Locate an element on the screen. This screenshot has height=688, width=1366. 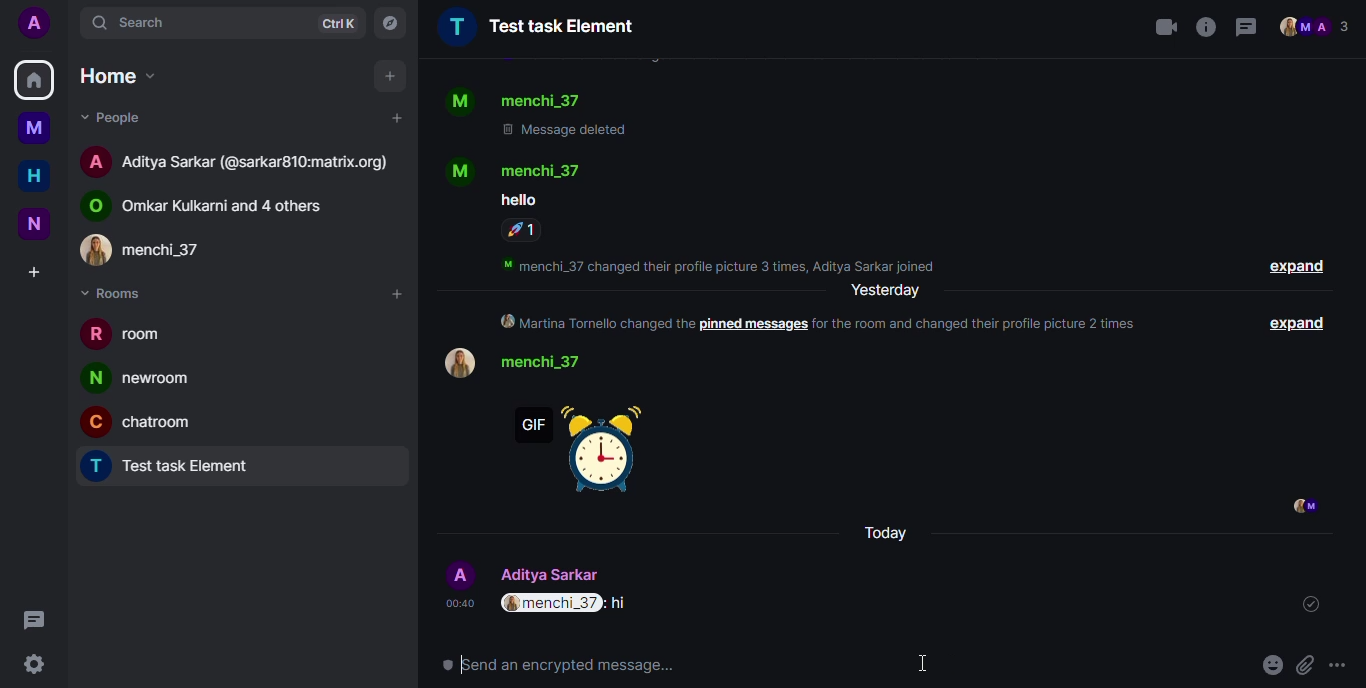
explore rooms is located at coordinates (389, 22).